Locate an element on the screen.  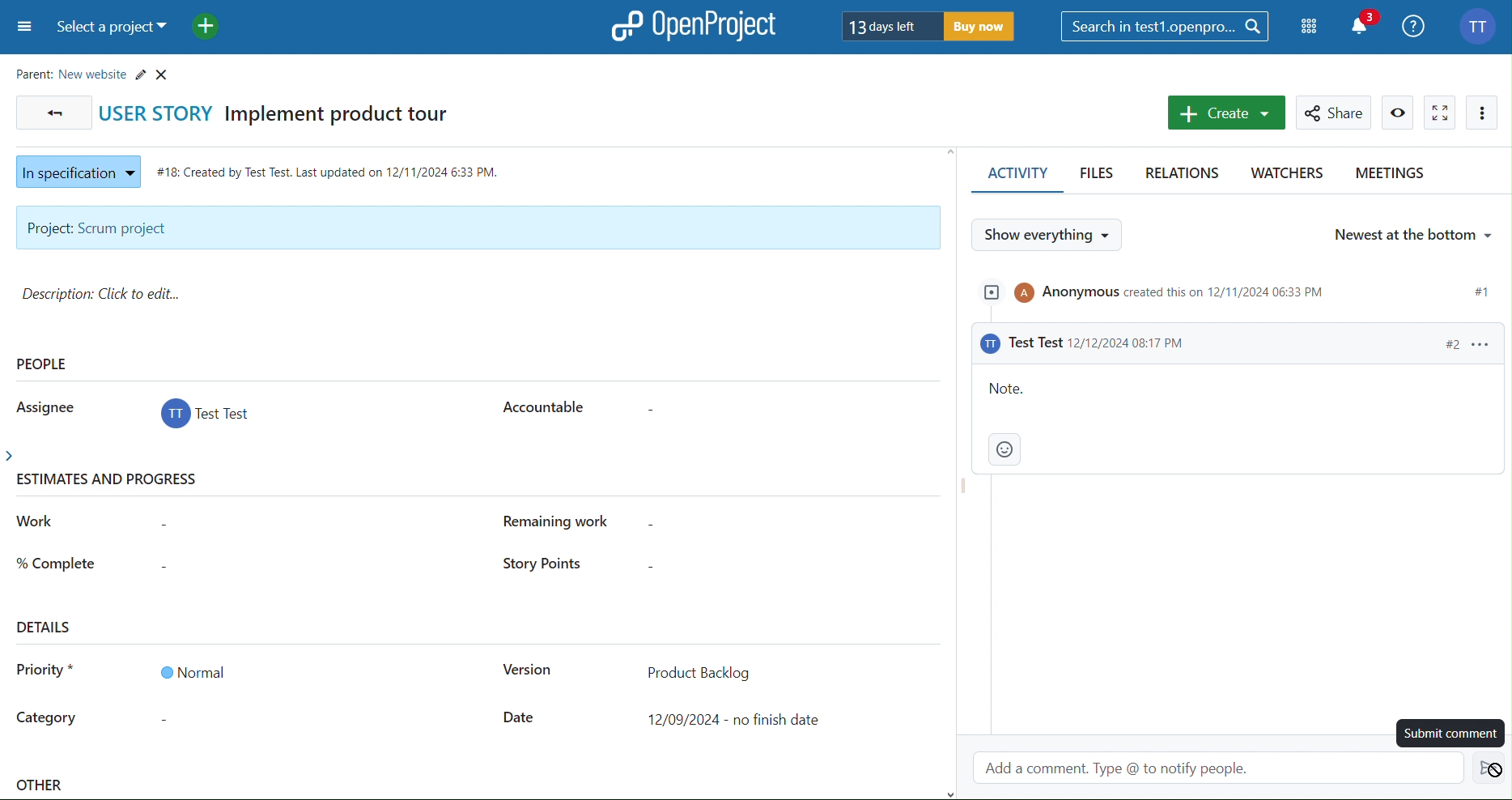
Created by date time is located at coordinates (332, 168).